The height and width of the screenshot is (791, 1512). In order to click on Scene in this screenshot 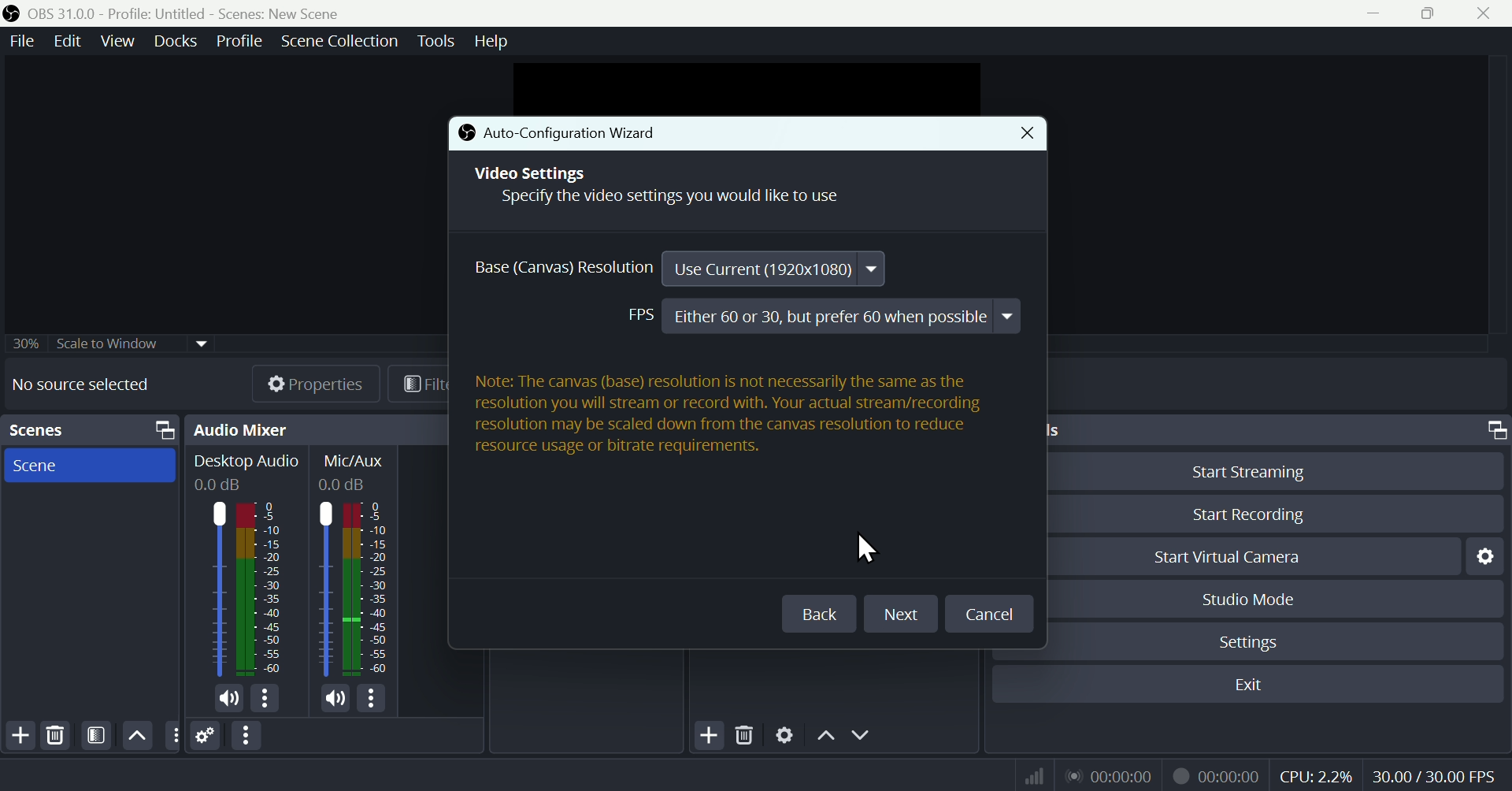, I will do `click(89, 465)`.